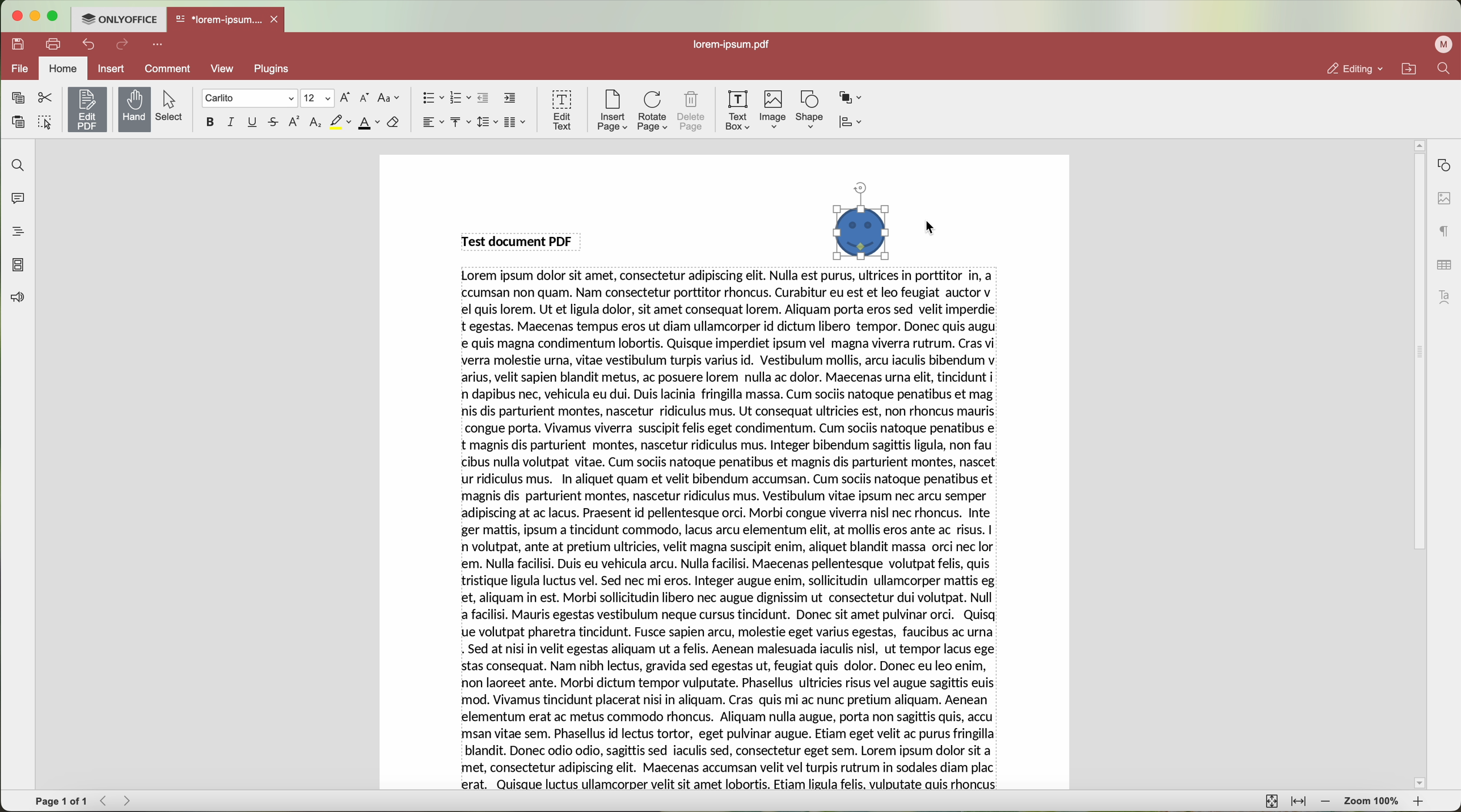  What do you see at coordinates (653, 111) in the screenshot?
I see `rotate page` at bounding box center [653, 111].